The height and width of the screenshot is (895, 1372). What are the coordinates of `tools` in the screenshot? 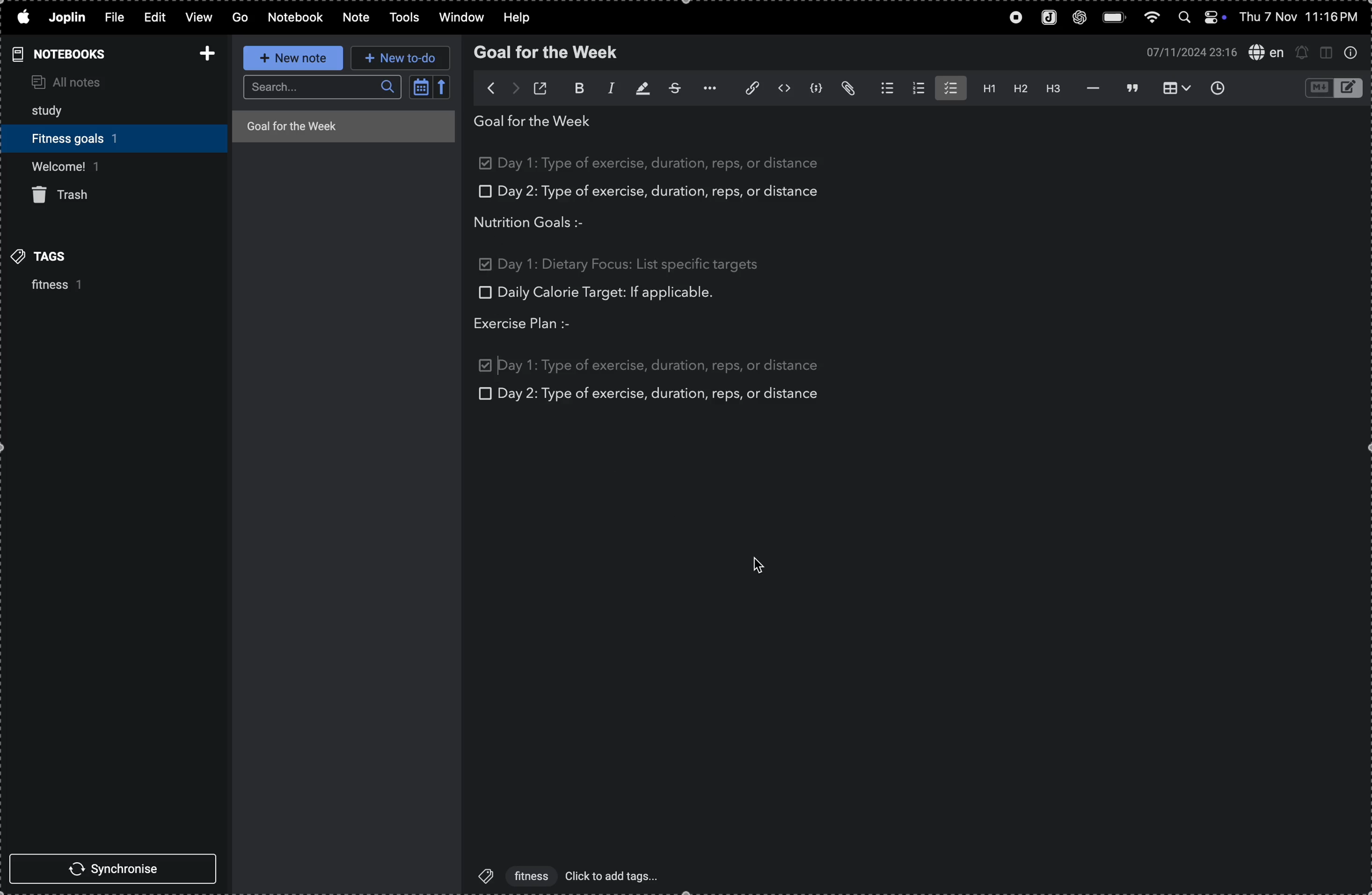 It's located at (402, 18).